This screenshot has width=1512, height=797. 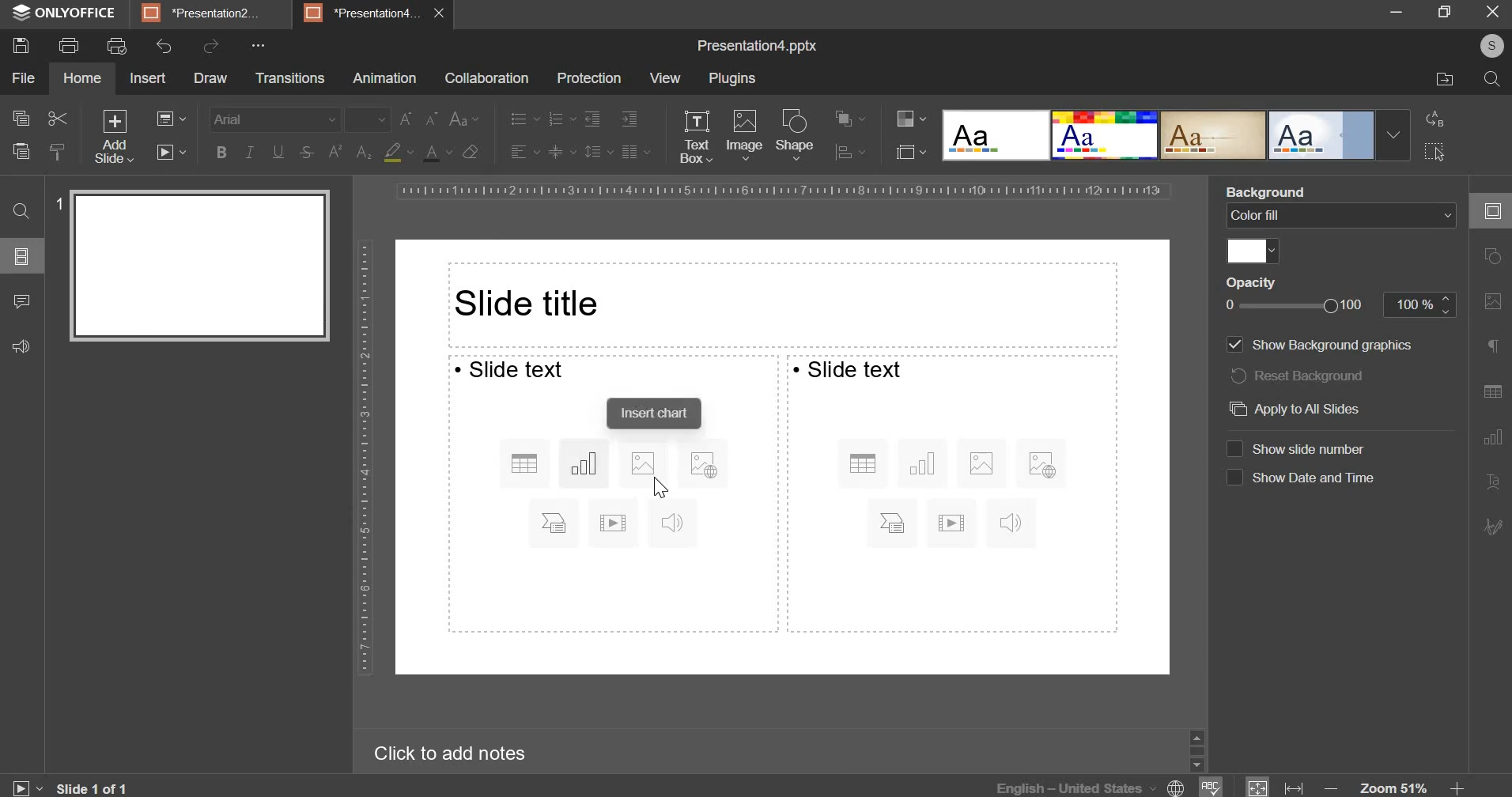 I want to click on save, so click(x=22, y=46).